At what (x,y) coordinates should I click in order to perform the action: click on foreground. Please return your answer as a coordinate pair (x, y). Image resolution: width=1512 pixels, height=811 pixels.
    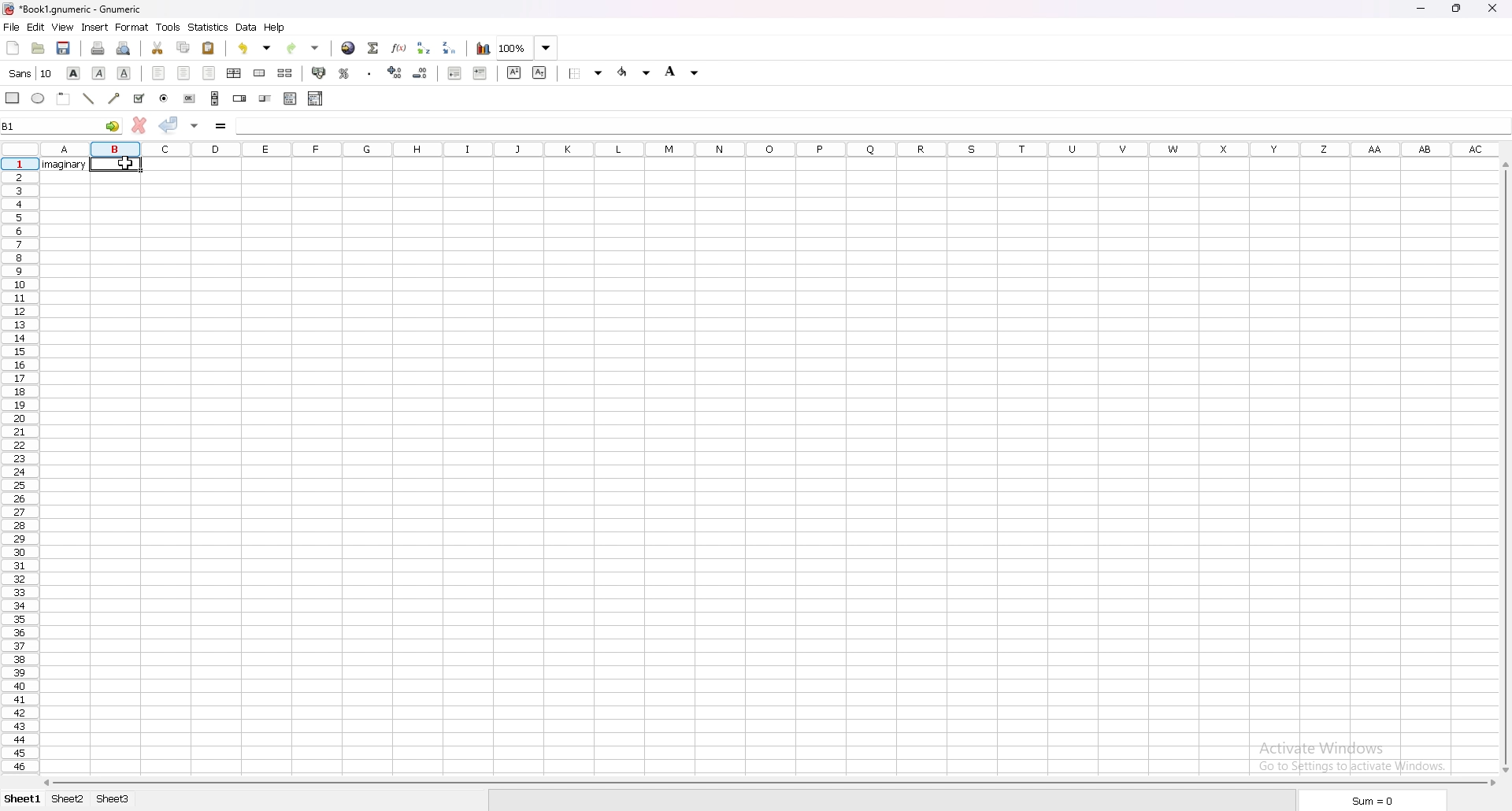
    Looking at the image, I should click on (636, 72).